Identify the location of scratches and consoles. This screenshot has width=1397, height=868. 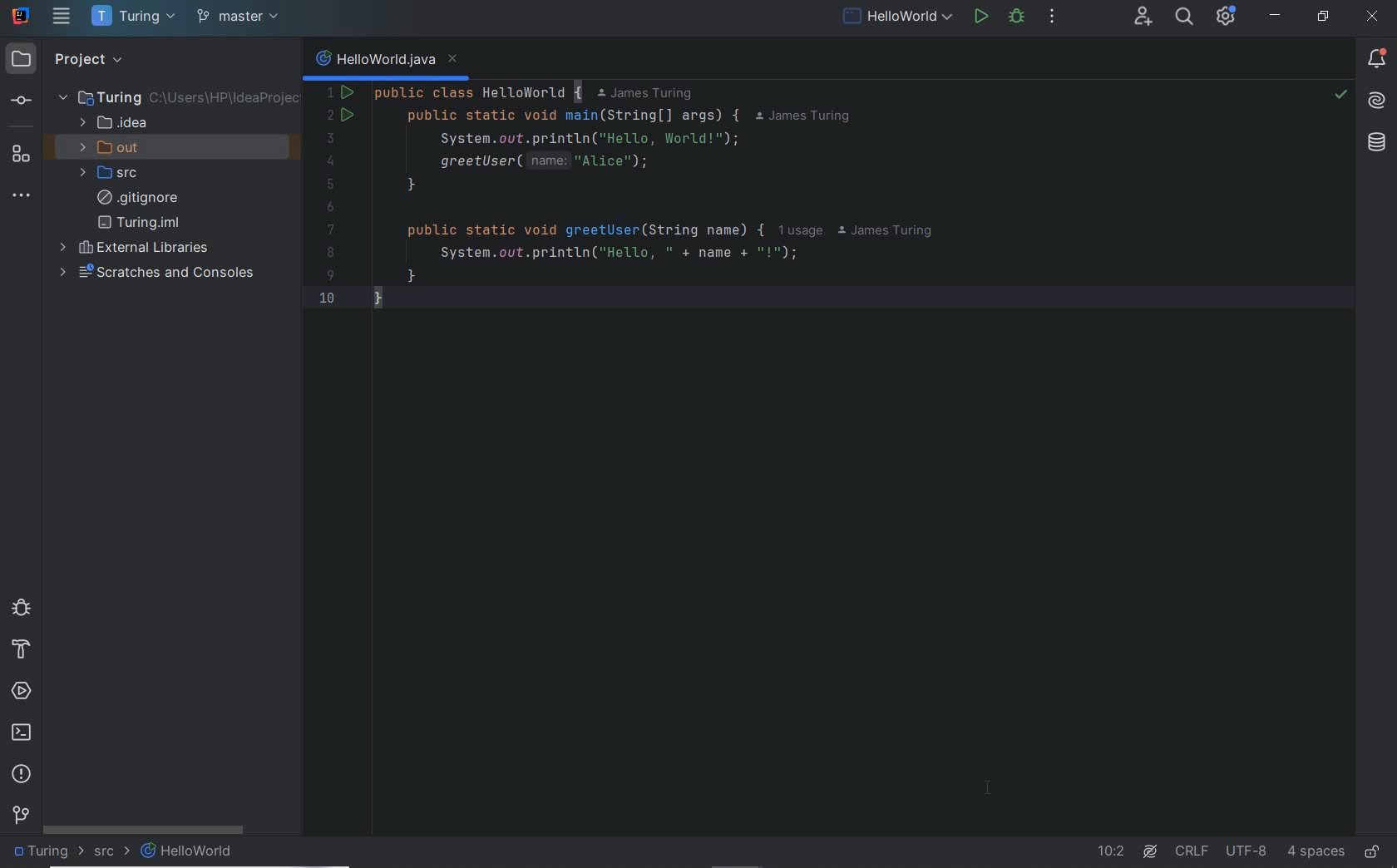
(160, 272).